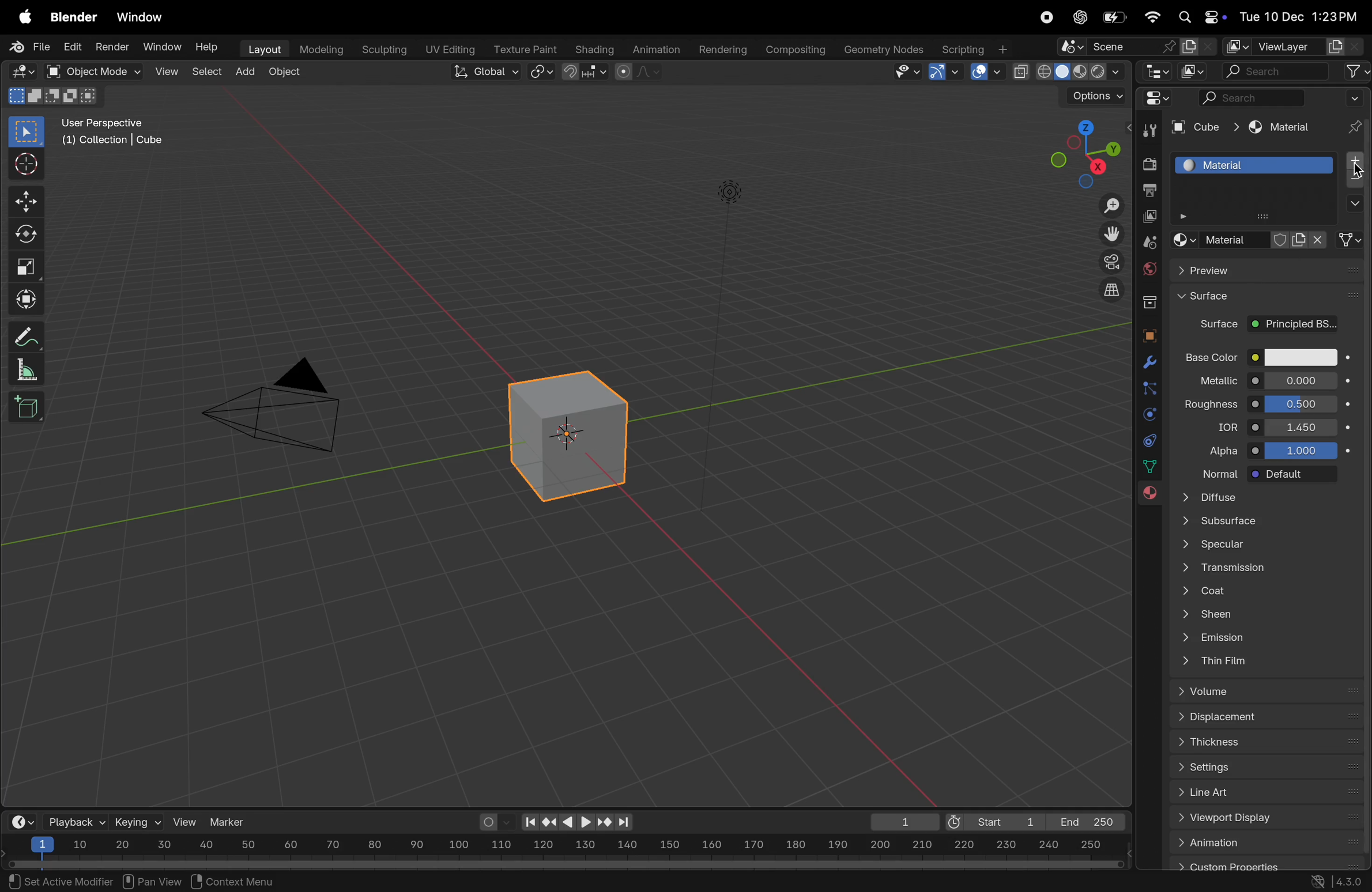 This screenshot has width=1372, height=892. Describe the element at coordinates (1088, 96) in the screenshot. I see `options` at that location.